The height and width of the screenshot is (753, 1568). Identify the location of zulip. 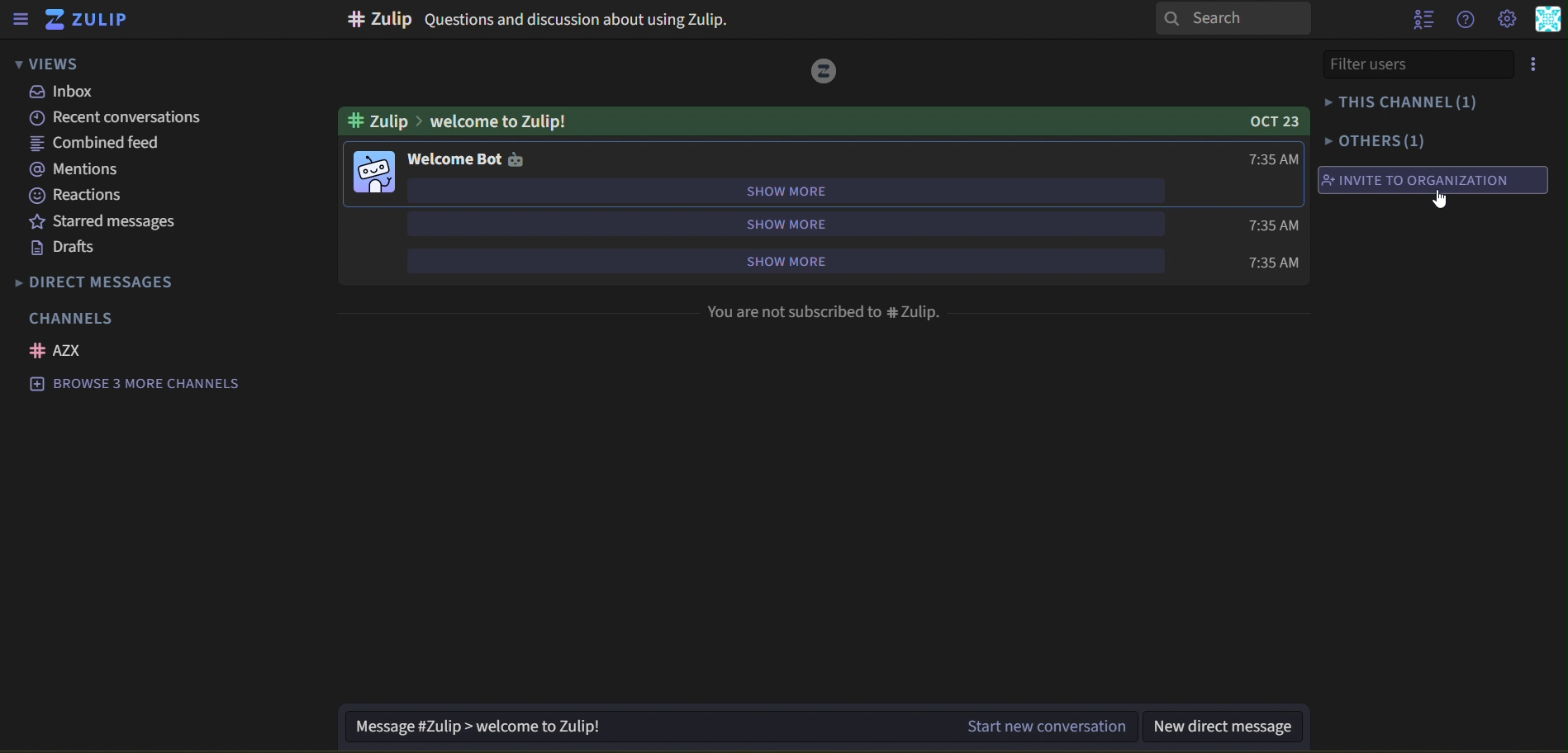
(91, 19).